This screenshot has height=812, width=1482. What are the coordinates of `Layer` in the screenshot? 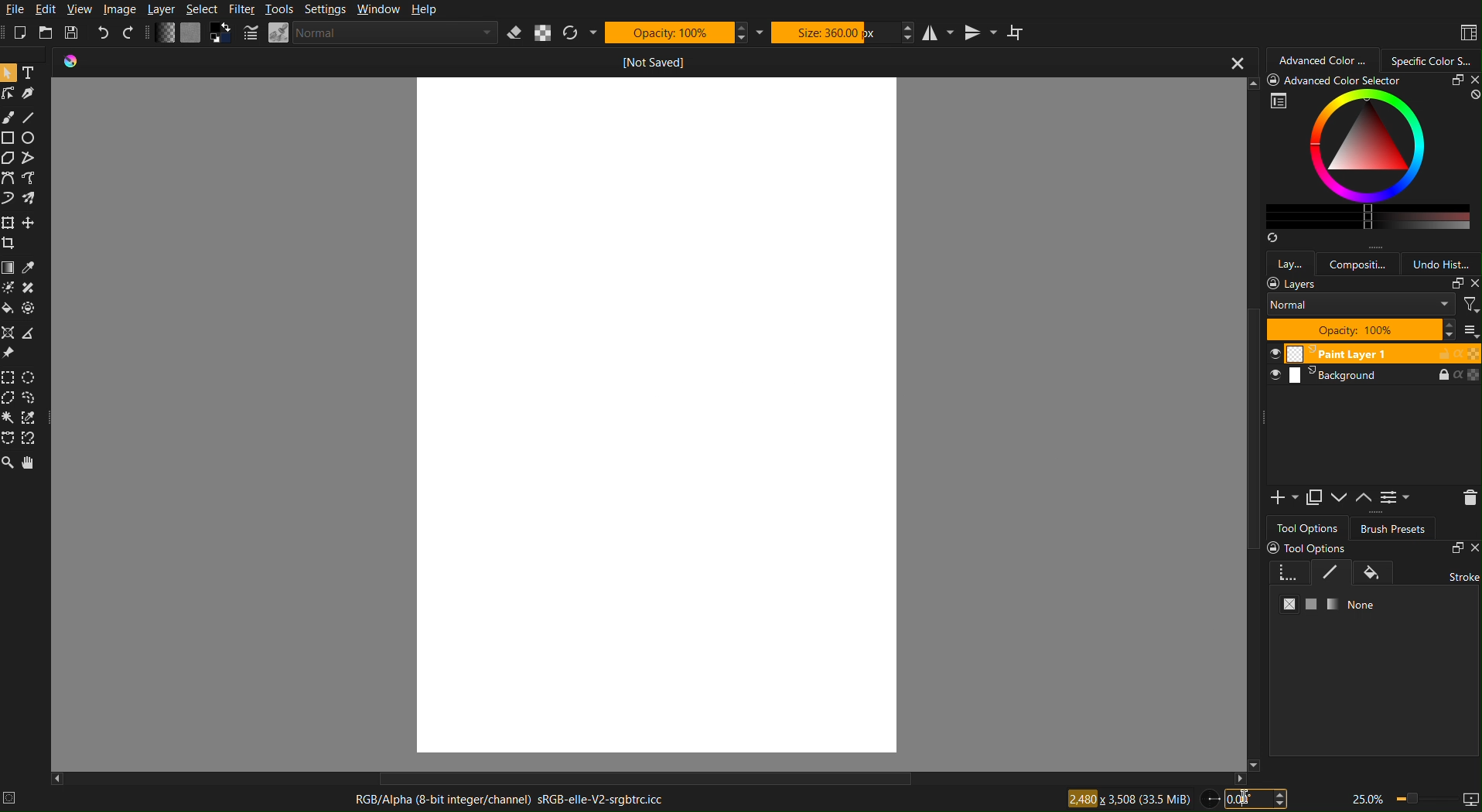 It's located at (162, 9).